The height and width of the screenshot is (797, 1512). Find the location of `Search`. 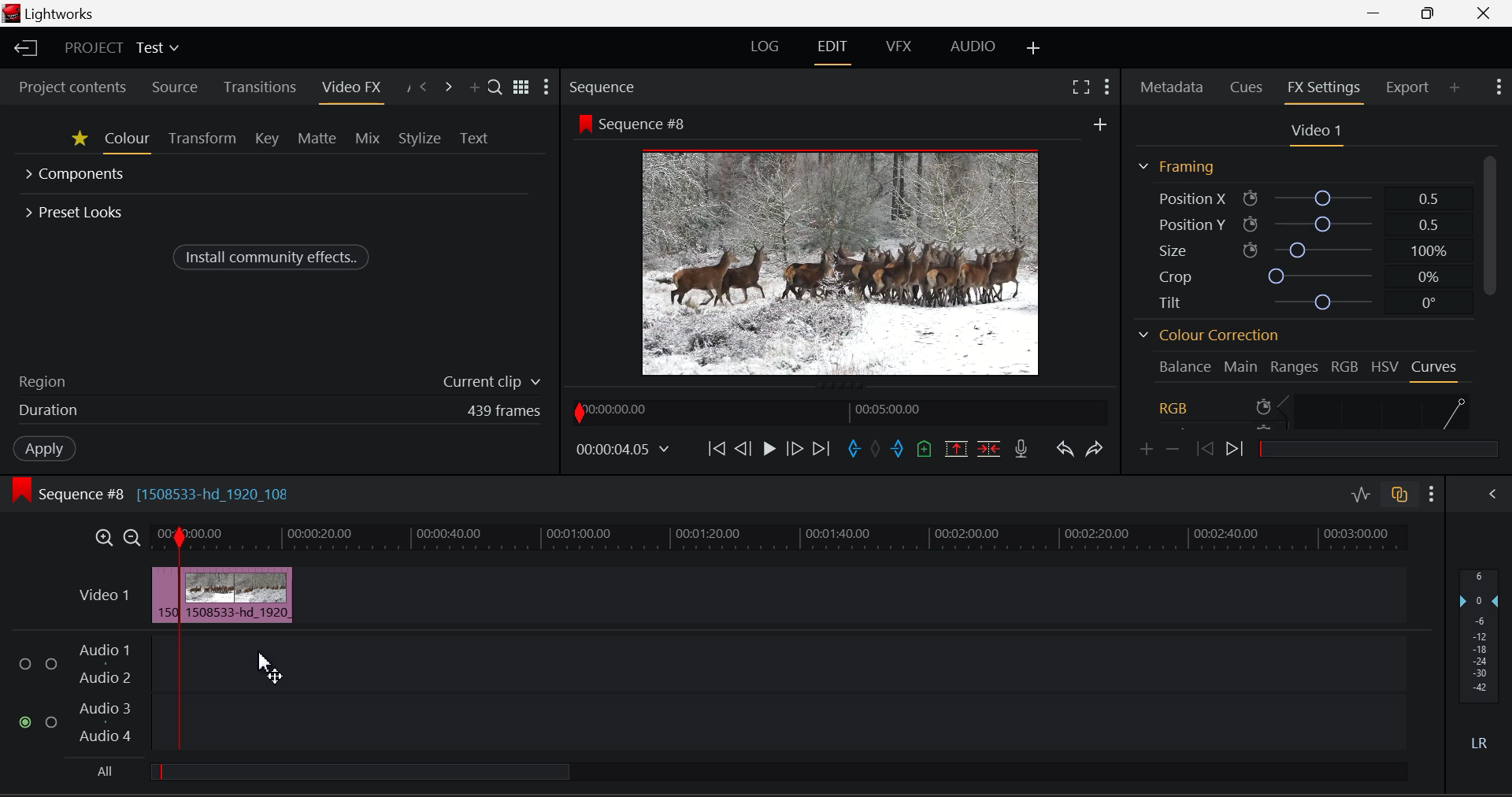

Search is located at coordinates (495, 85).